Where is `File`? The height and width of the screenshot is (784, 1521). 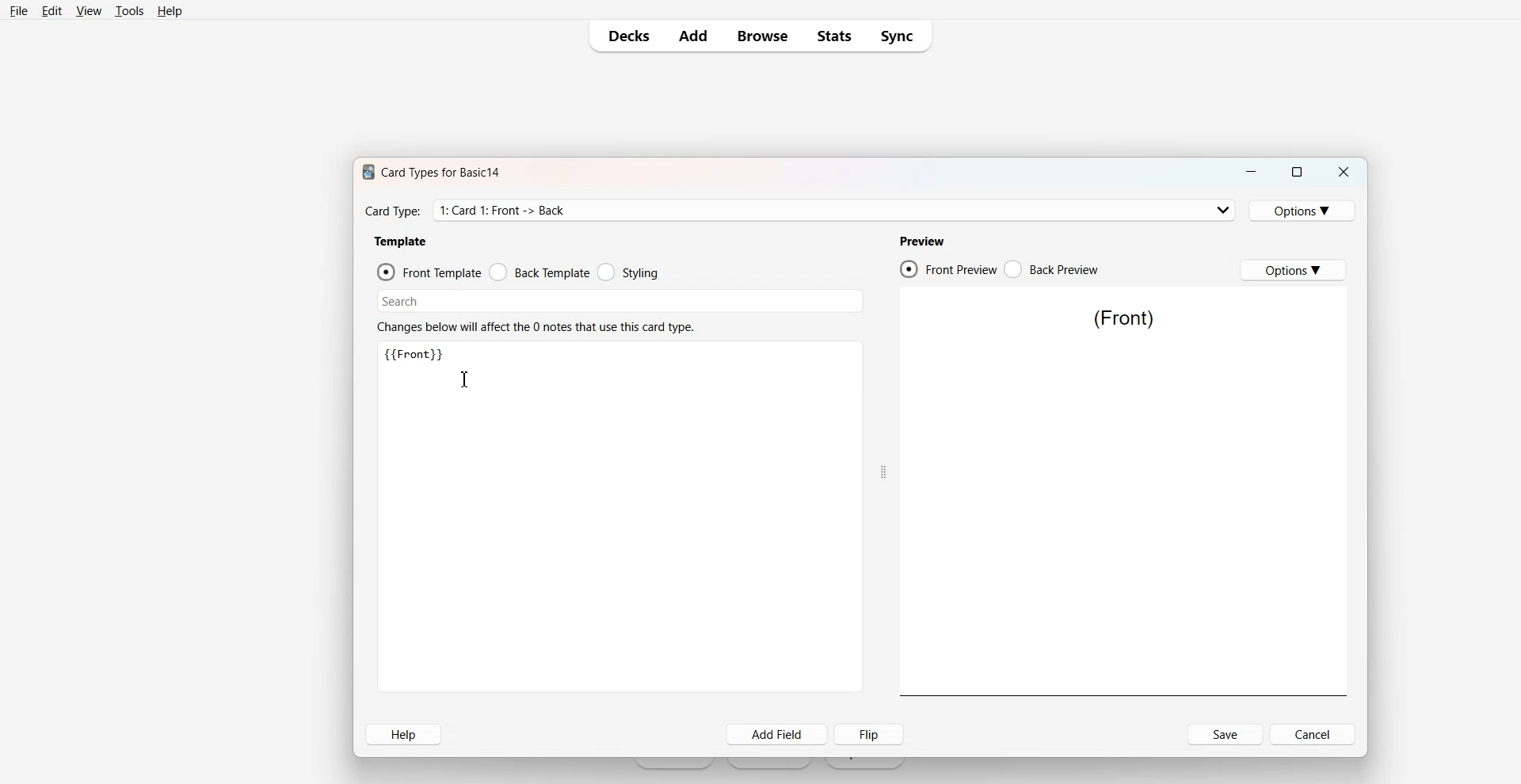 File is located at coordinates (20, 11).